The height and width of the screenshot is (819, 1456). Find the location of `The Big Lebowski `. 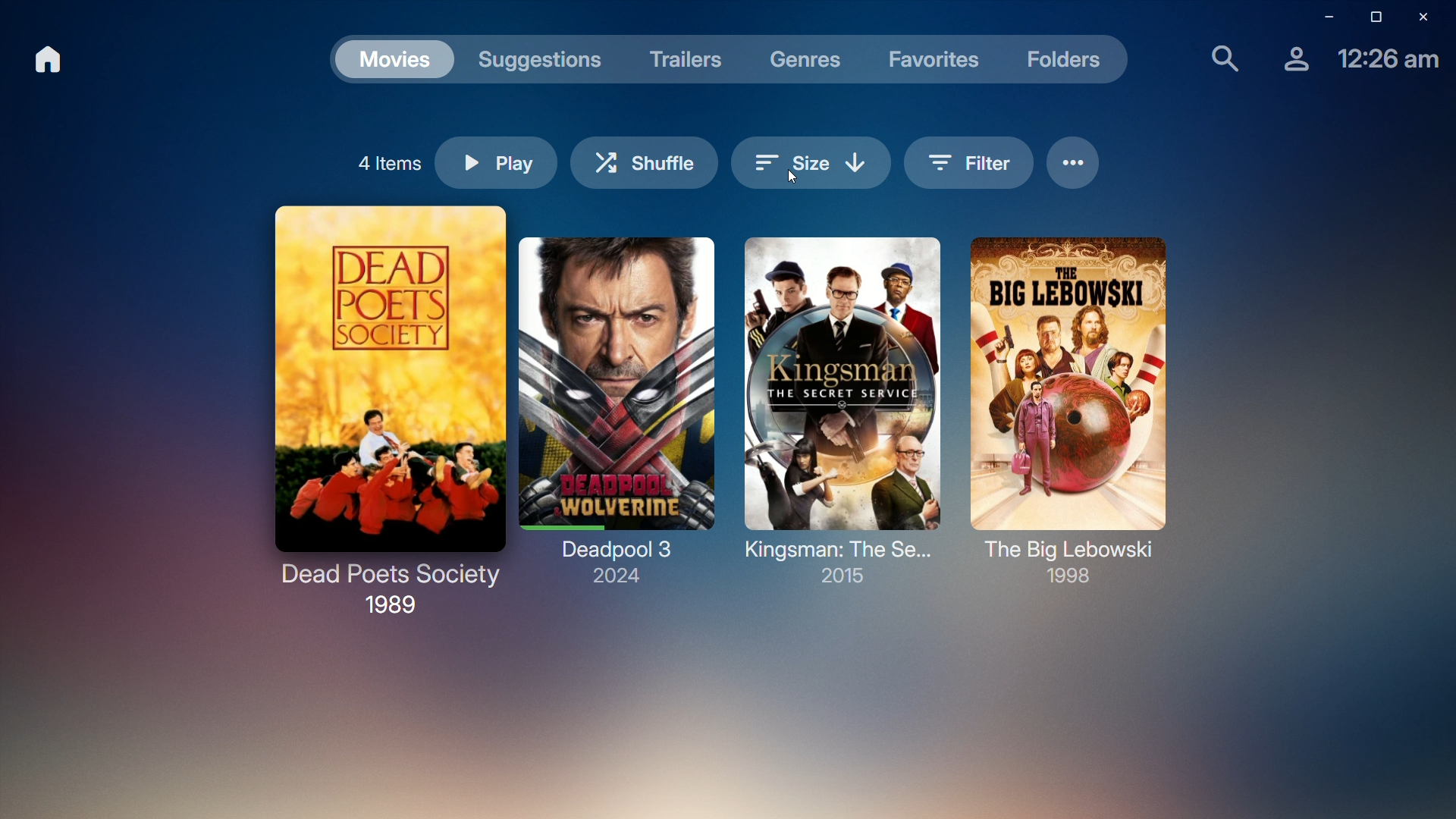

The Big Lebowski  is located at coordinates (1067, 409).